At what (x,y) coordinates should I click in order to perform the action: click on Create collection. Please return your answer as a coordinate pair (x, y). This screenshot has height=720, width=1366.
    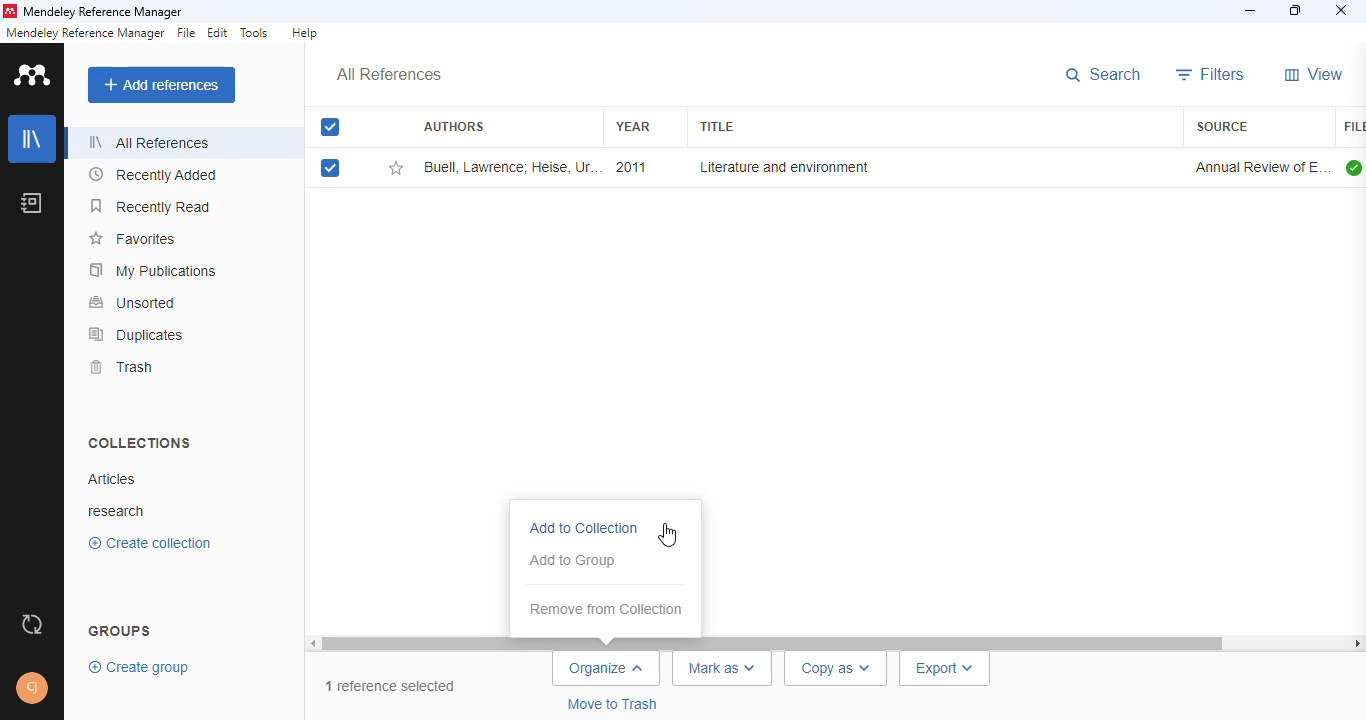
    Looking at the image, I should click on (149, 546).